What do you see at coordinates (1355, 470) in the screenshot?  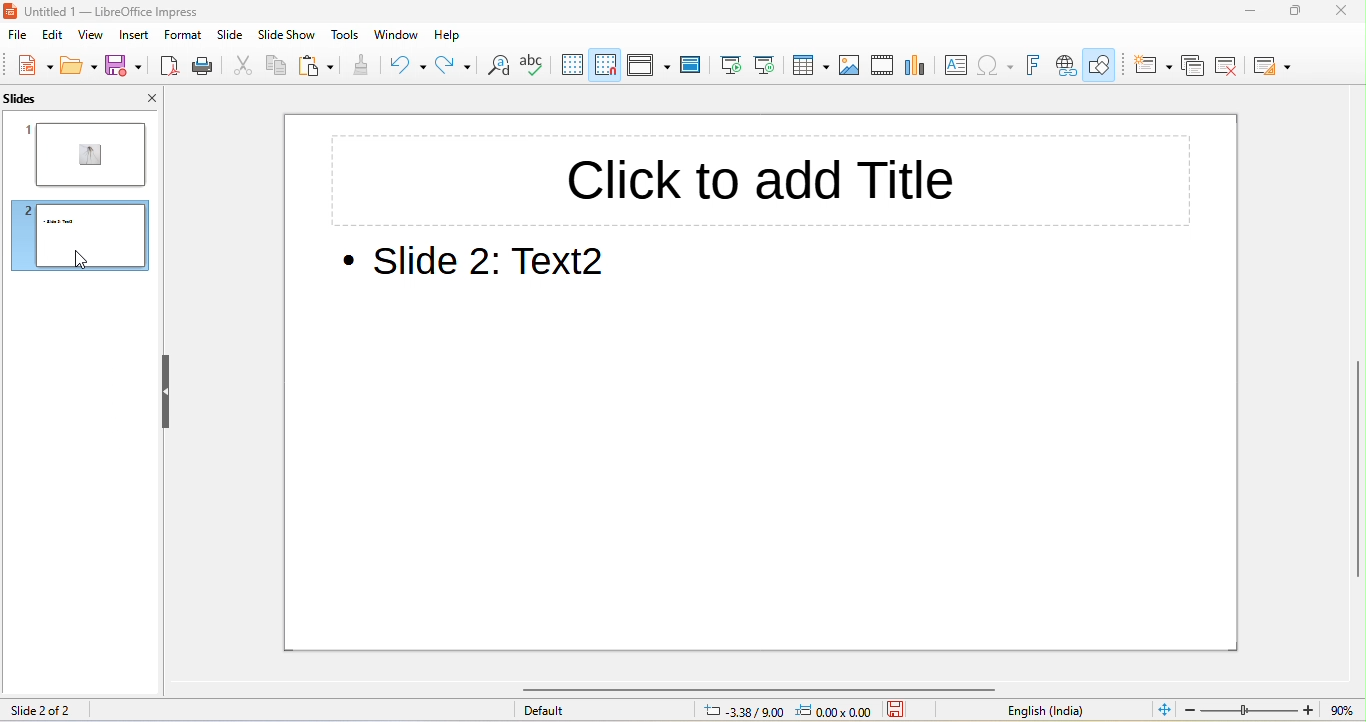 I see `vertical scroll bar` at bounding box center [1355, 470].